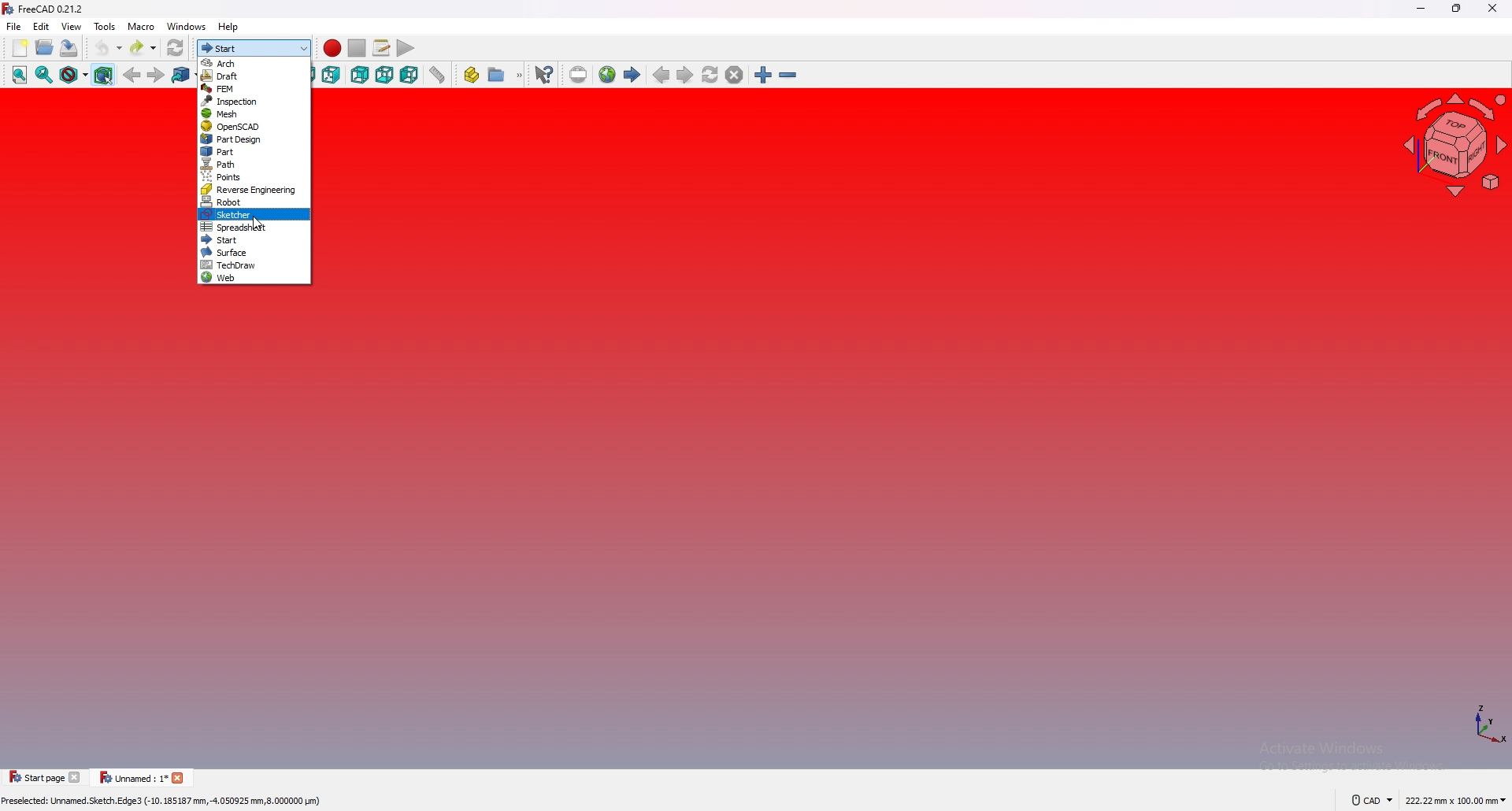  What do you see at coordinates (356, 47) in the screenshot?
I see `stop macro` at bounding box center [356, 47].